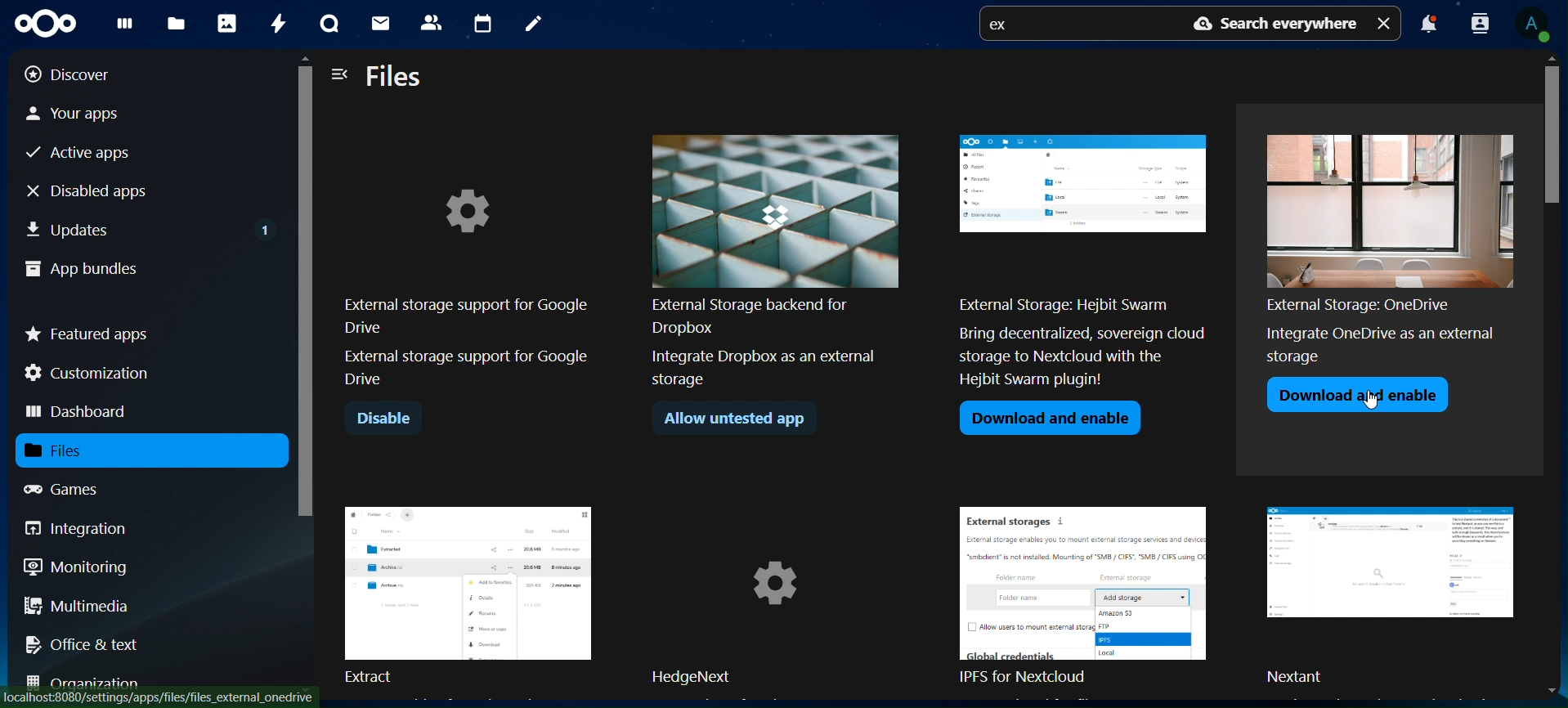 This screenshot has width=1568, height=708. What do you see at coordinates (82, 271) in the screenshot?
I see `app bundles` at bounding box center [82, 271].